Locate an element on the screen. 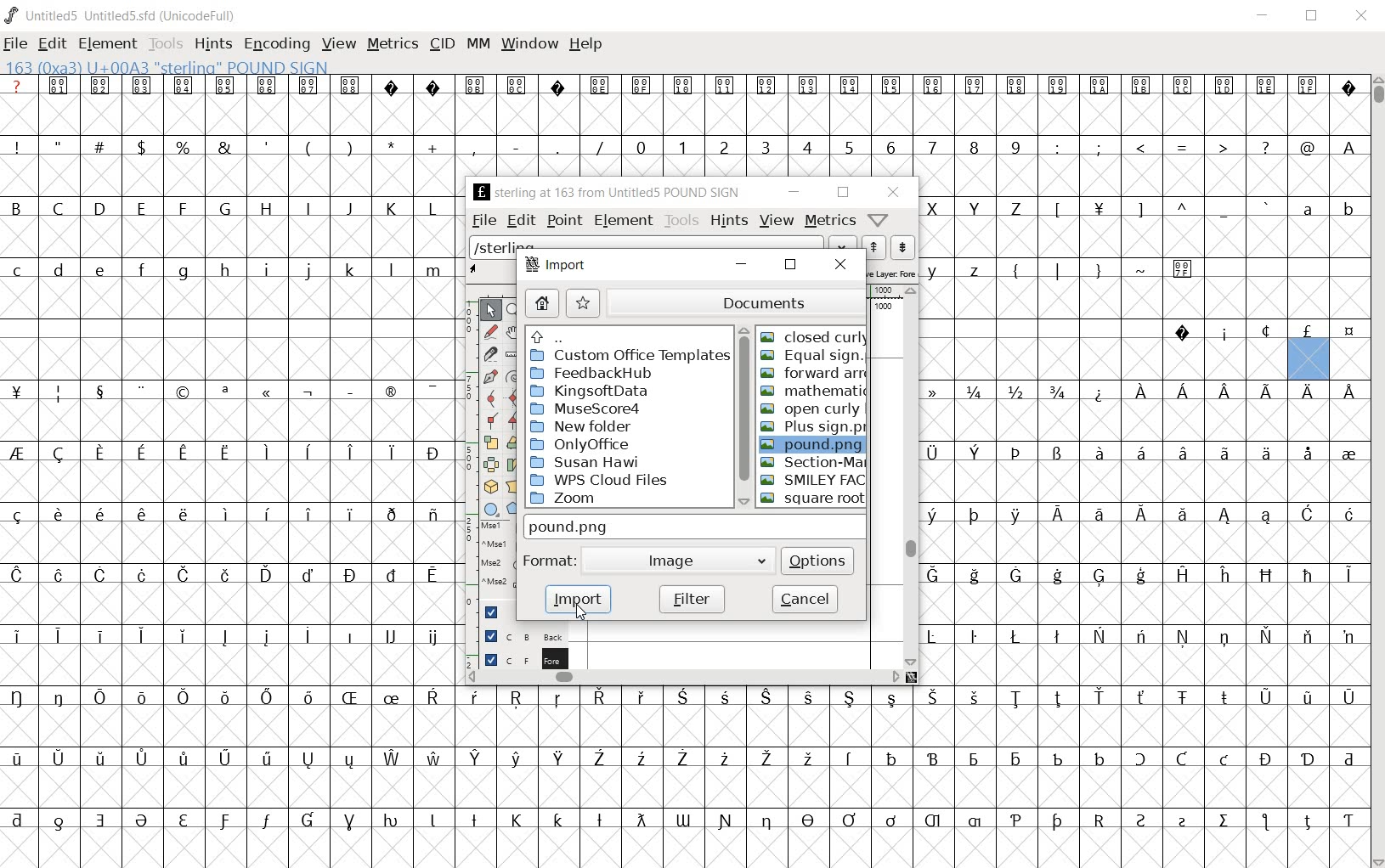 This screenshot has width=1385, height=868. Symbol is located at coordinates (975, 636).